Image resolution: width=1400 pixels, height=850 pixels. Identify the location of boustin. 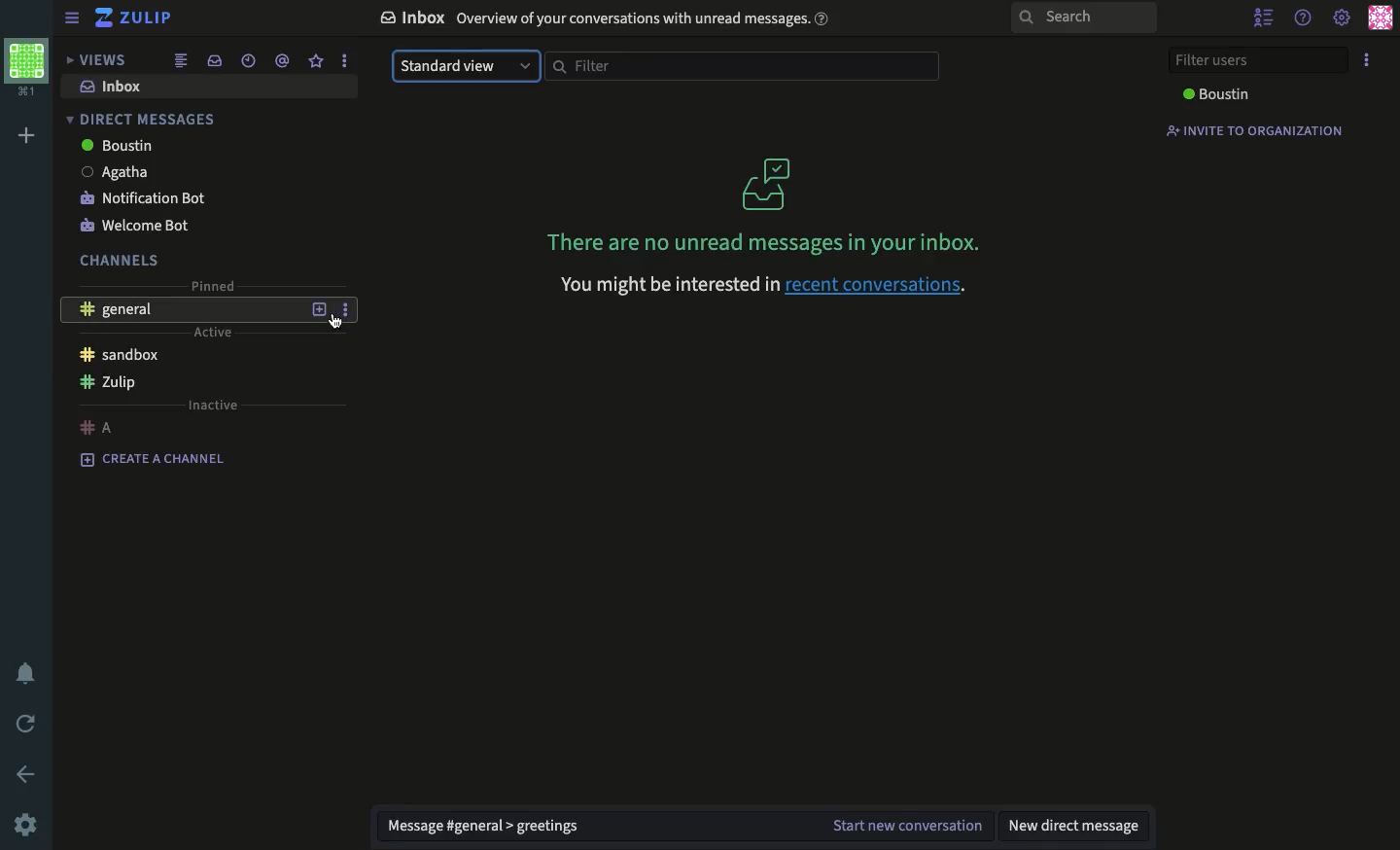
(1214, 92).